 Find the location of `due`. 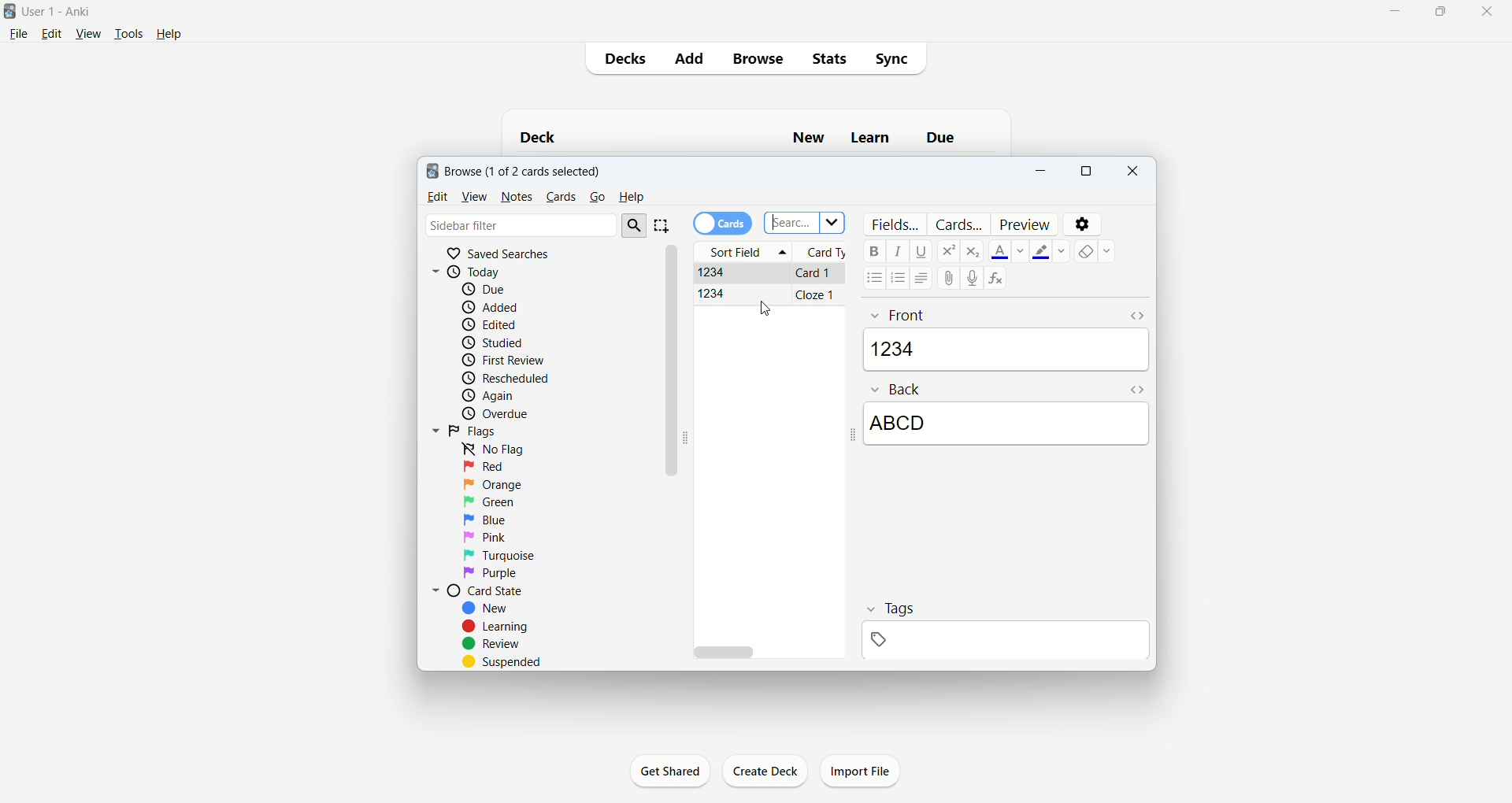

due is located at coordinates (483, 289).